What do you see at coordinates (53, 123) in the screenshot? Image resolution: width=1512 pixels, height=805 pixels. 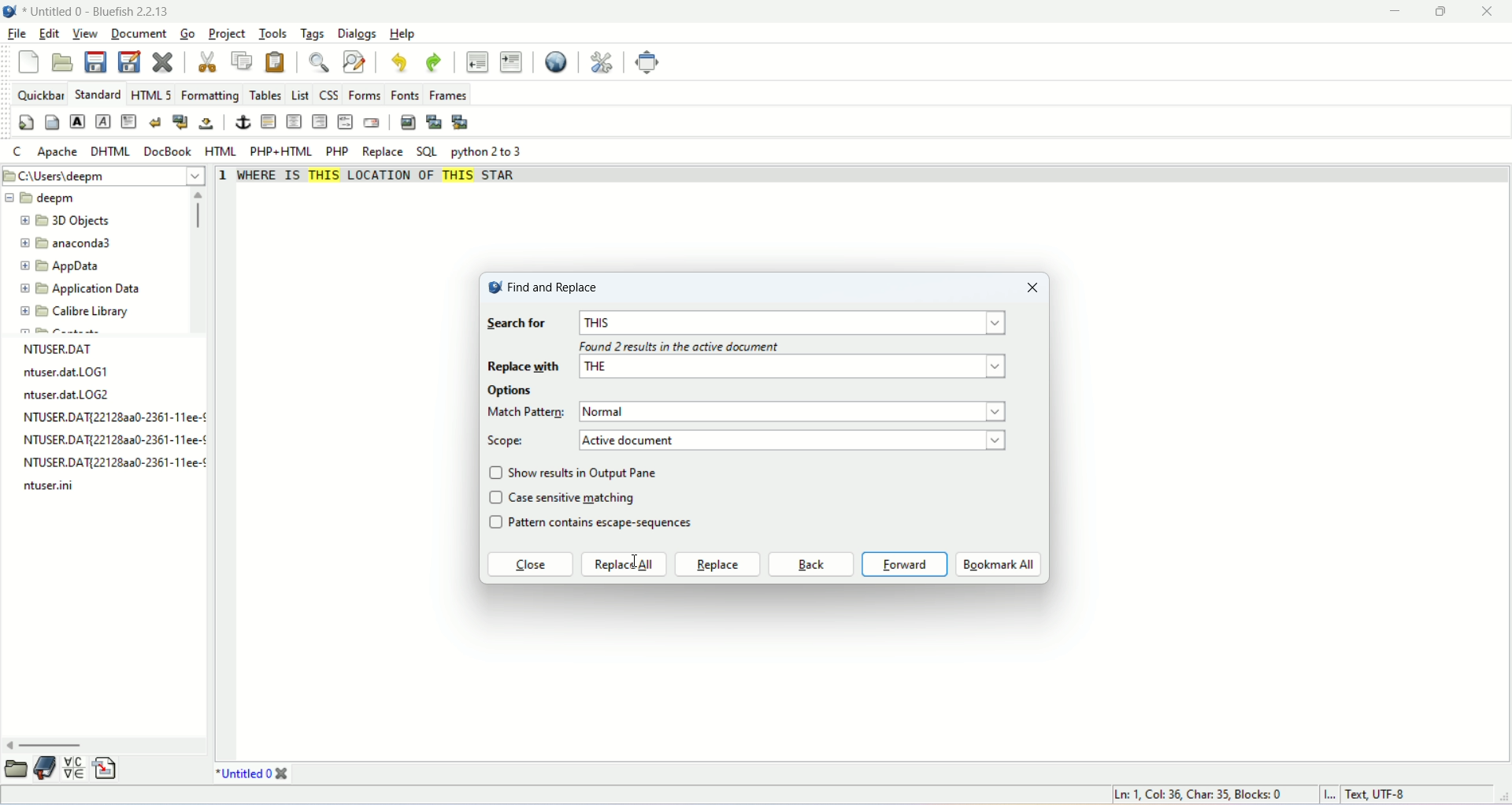 I see `body` at bounding box center [53, 123].